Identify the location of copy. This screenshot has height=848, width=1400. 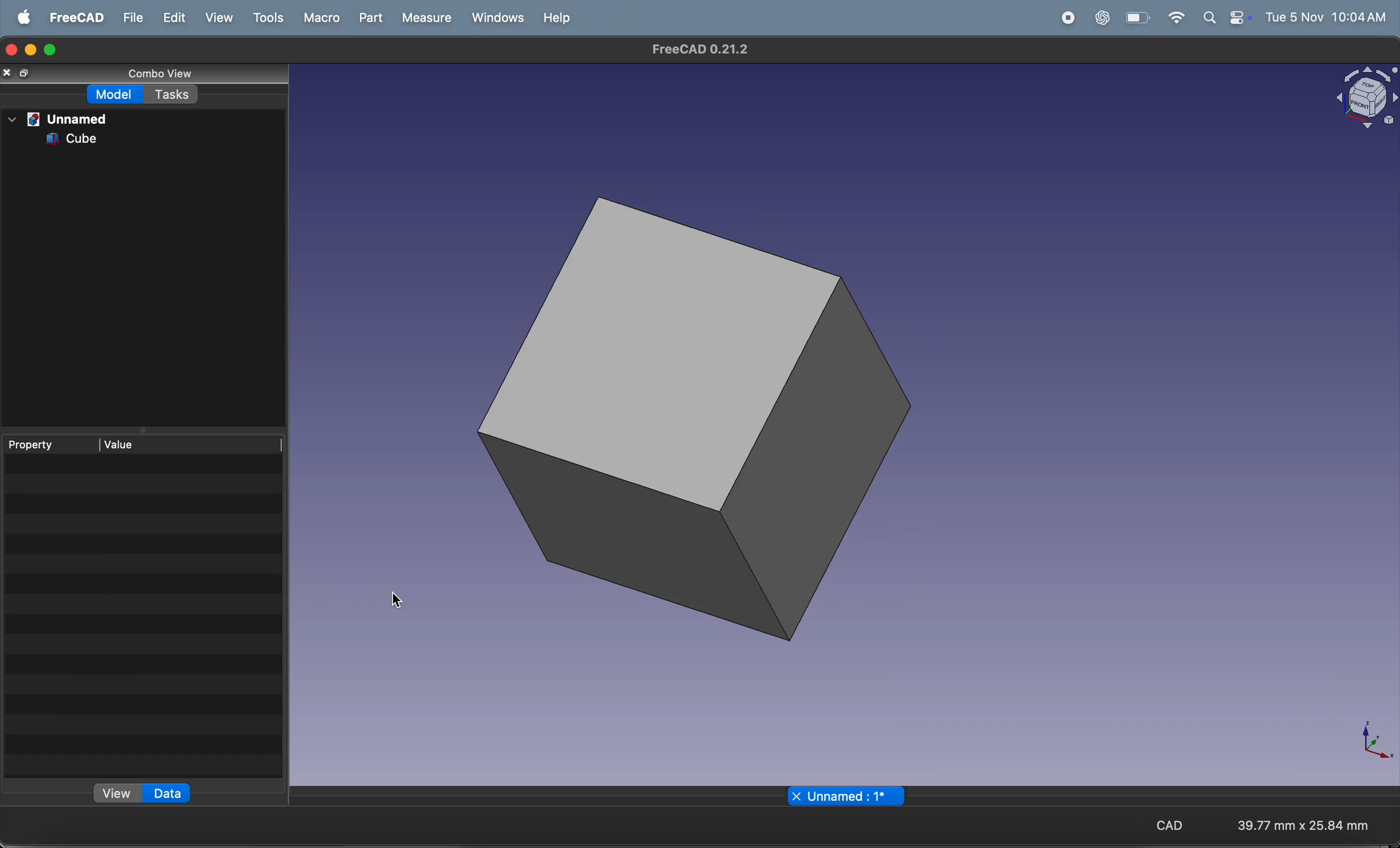
(17, 76).